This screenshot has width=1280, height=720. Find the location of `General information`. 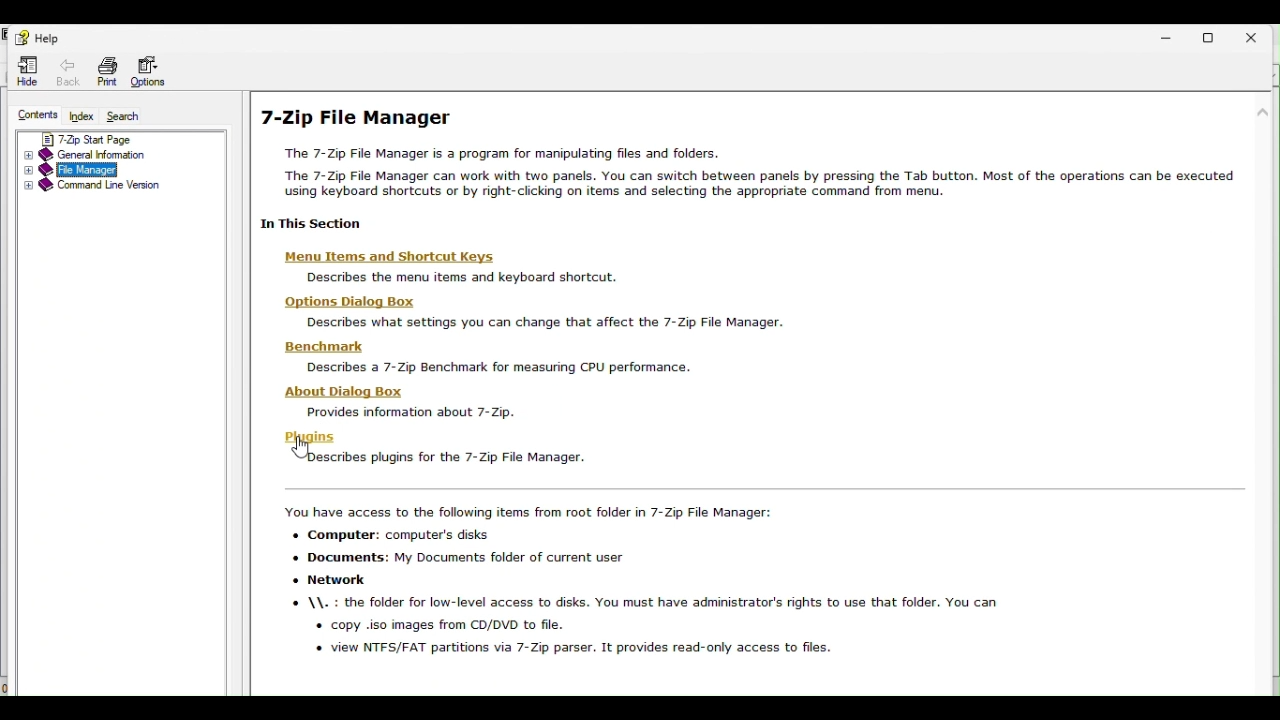

General information is located at coordinates (119, 154).